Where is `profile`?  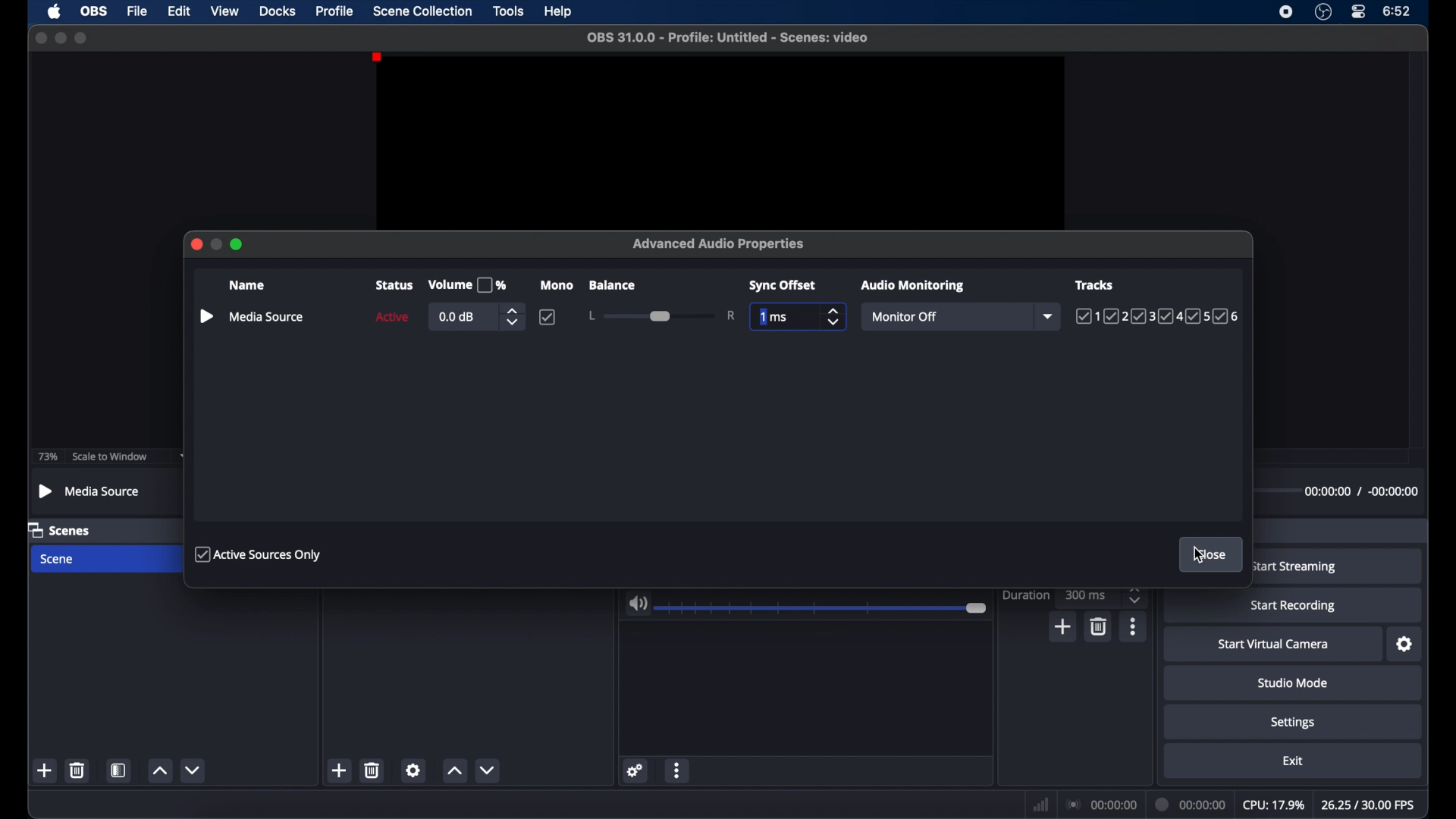
profile is located at coordinates (336, 11).